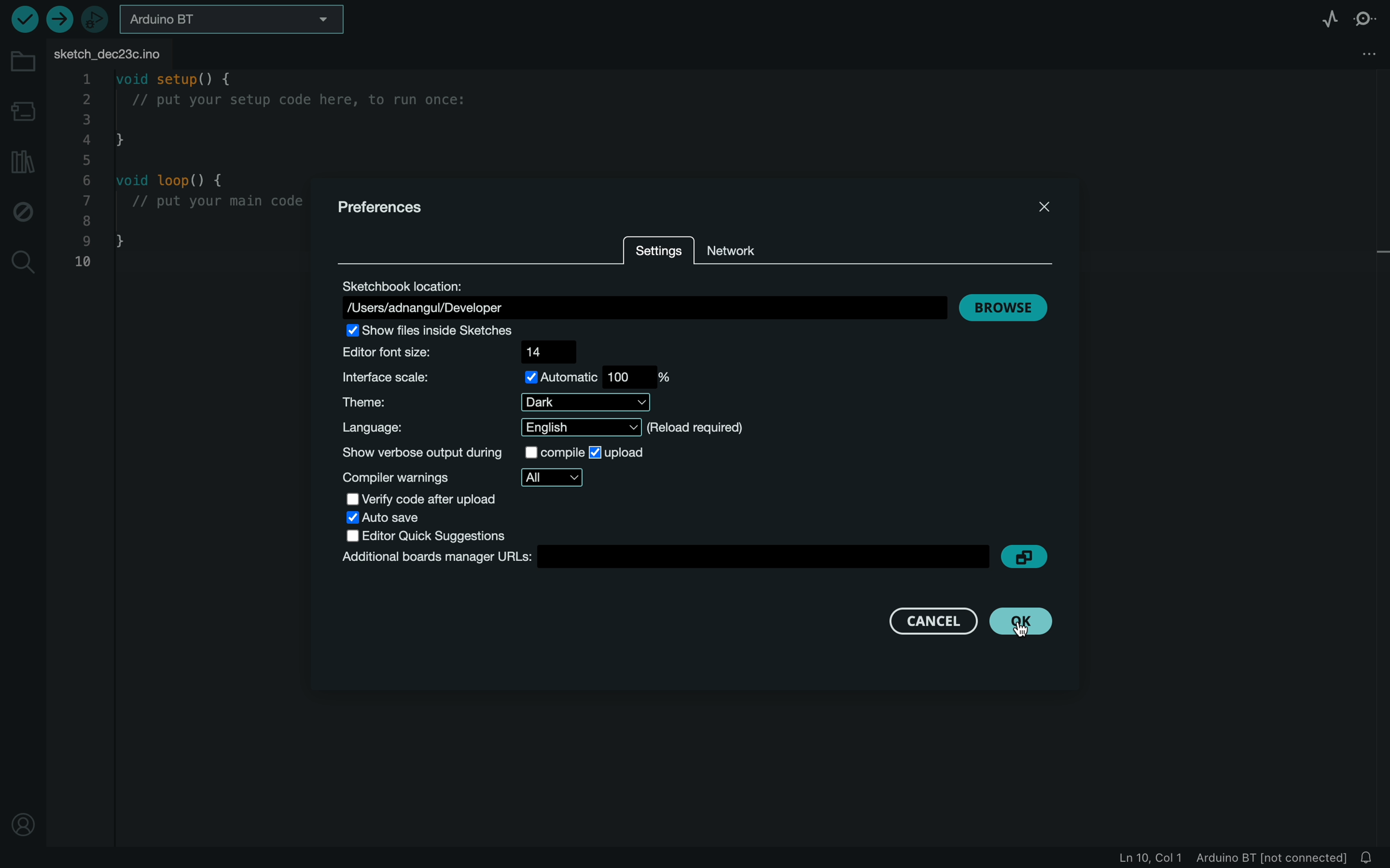 The image size is (1390, 868). Describe the element at coordinates (23, 21) in the screenshot. I see `verify` at that location.